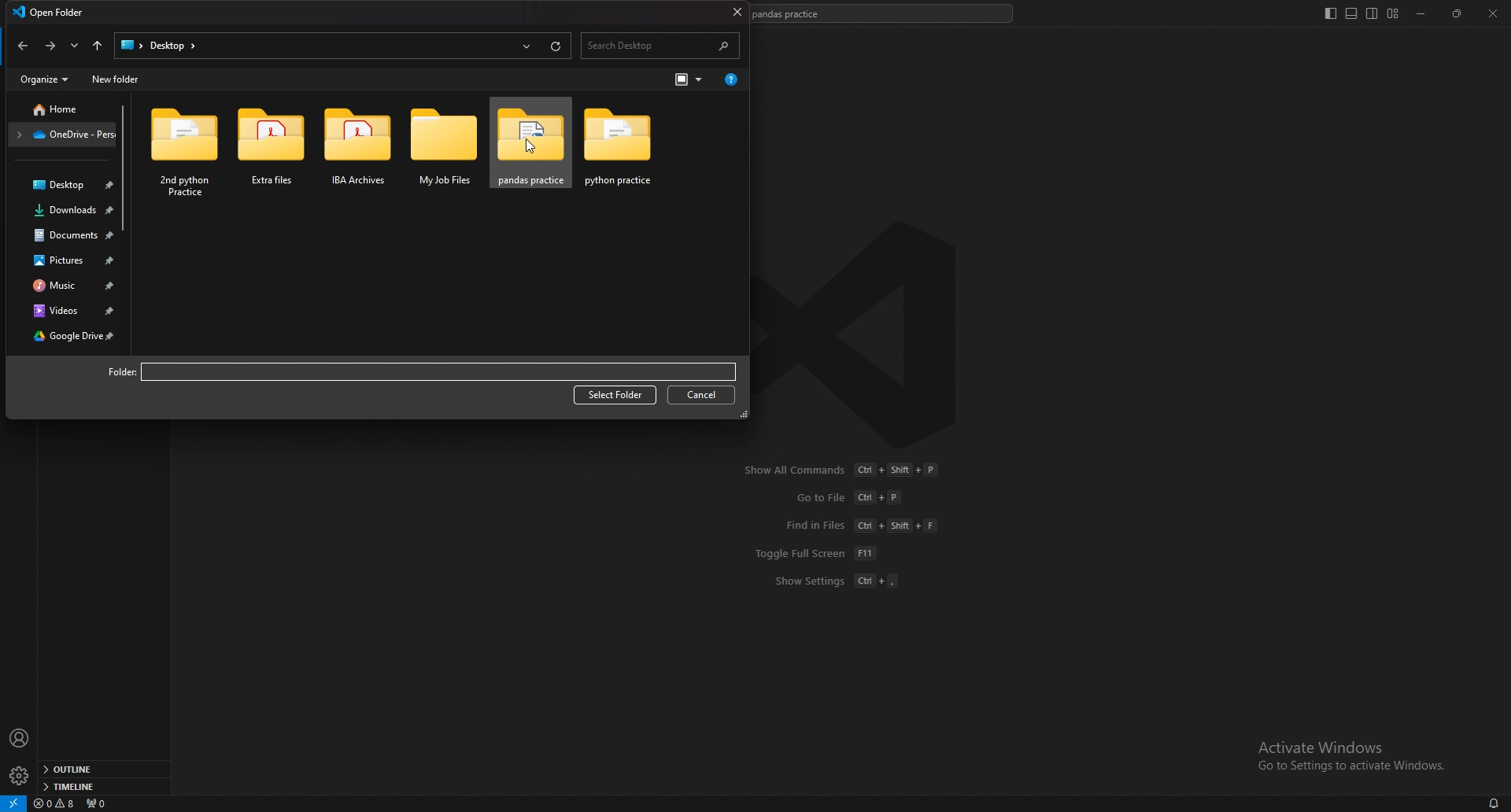 This screenshot has height=812, width=1511. What do you see at coordinates (615, 396) in the screenshot?
I see `select folder` at bounding box center [615, 396].